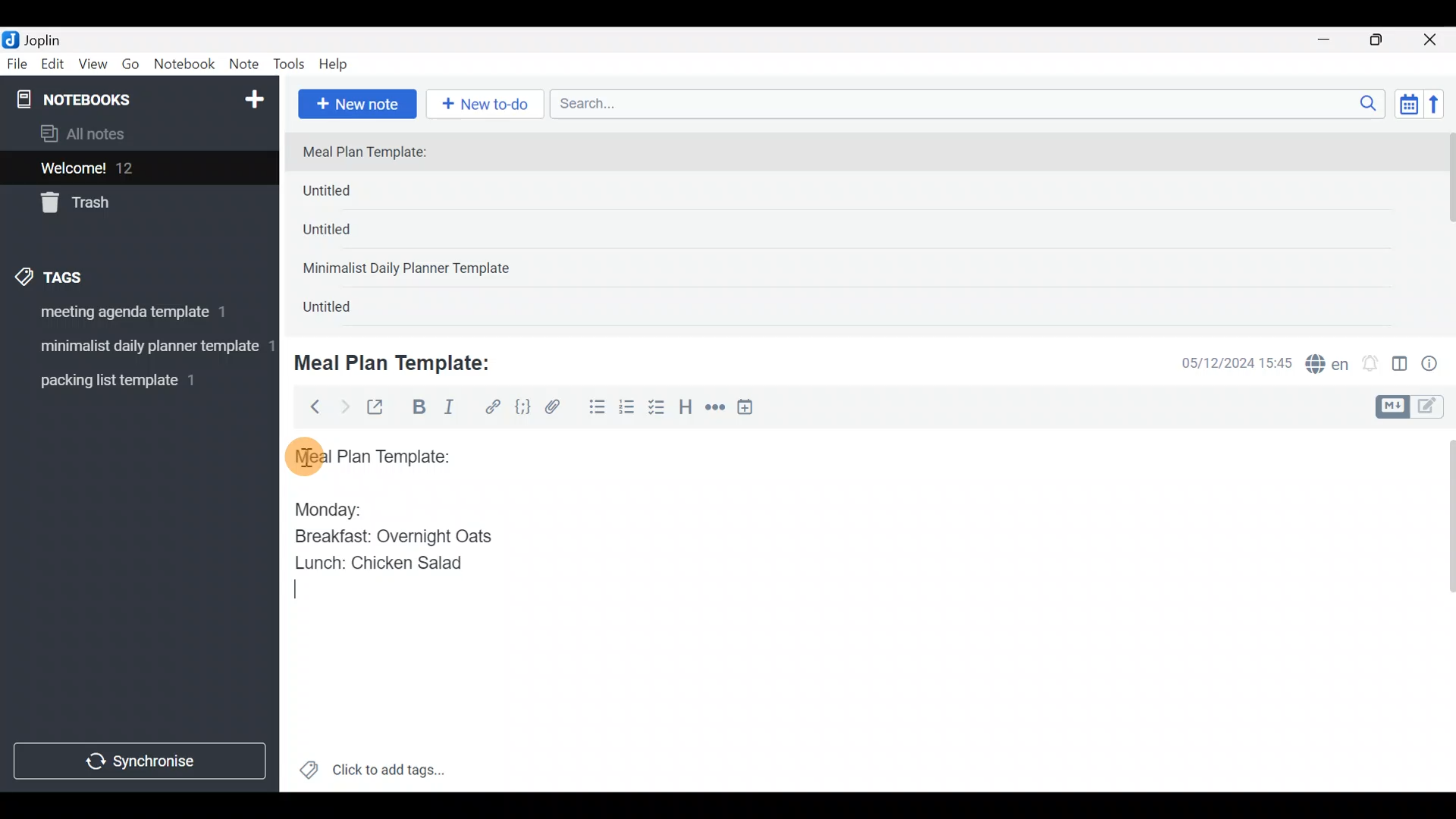 The height and width of the screenshot is (819, 1456). I want to click on Tag 2, so click(139, 348).